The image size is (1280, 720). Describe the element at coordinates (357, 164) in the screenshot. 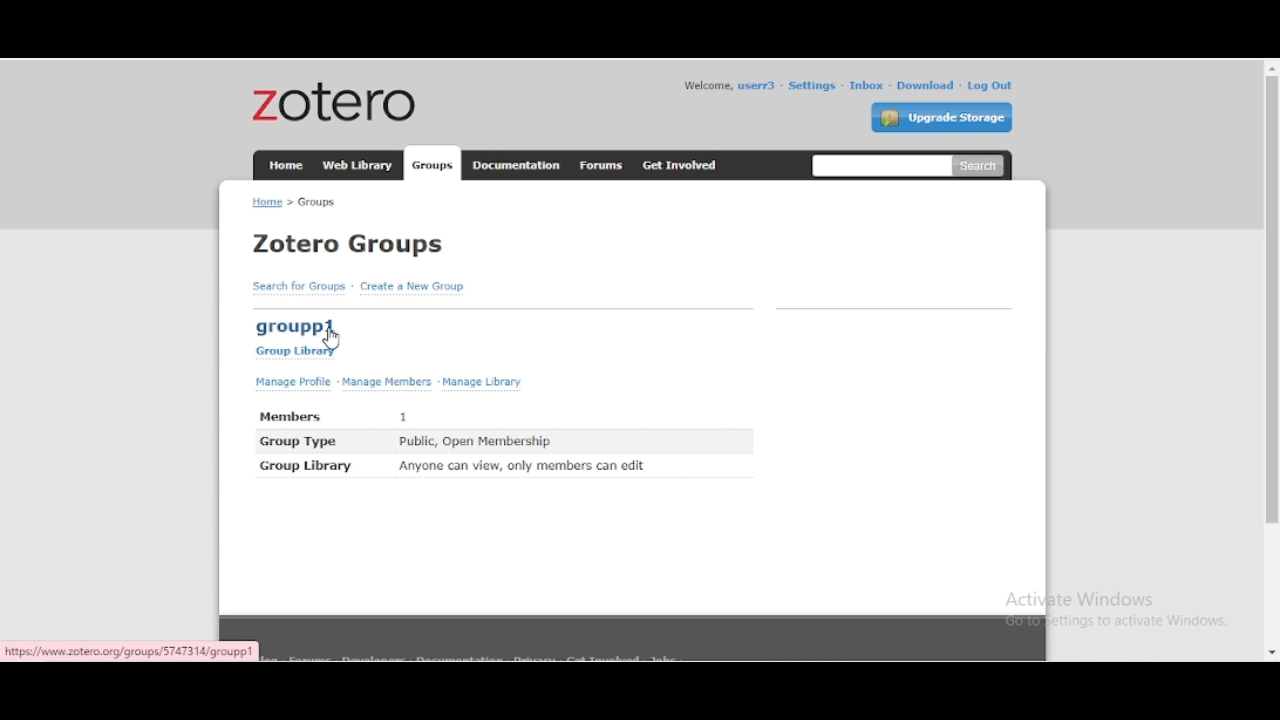

I see `web library` at that location.